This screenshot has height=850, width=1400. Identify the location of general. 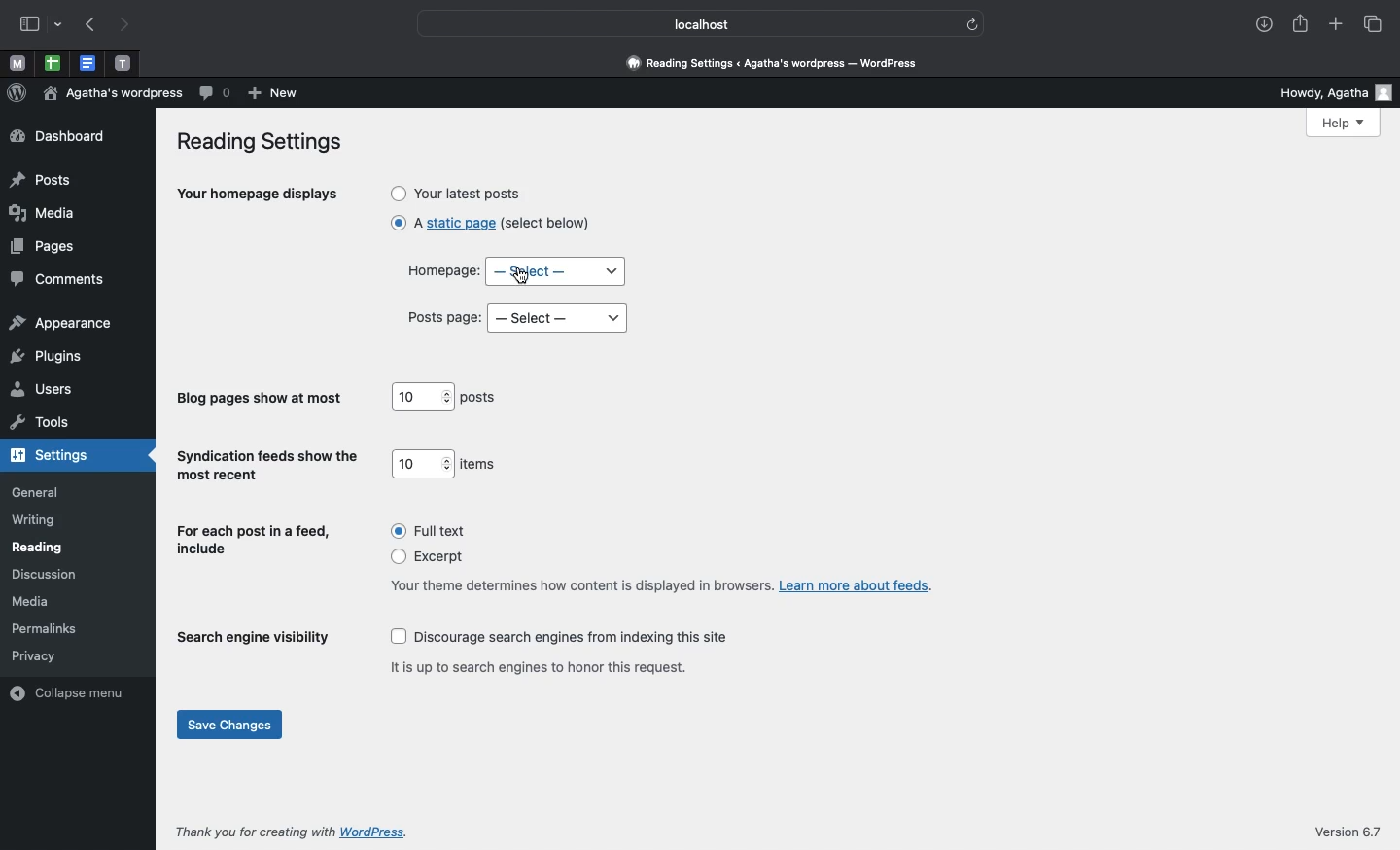
(36, 492).